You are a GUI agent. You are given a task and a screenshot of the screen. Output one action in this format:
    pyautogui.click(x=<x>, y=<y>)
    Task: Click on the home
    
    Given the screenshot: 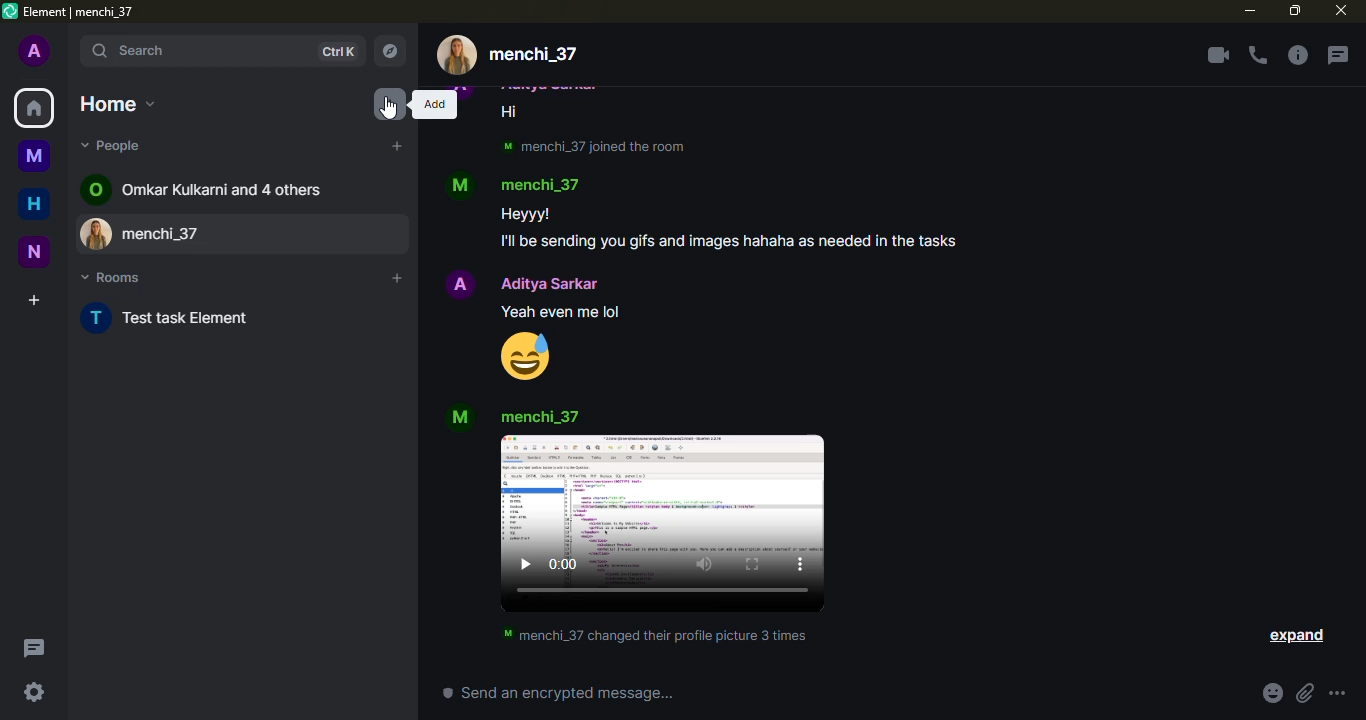 What is the action you would take?
    pyautogui.click(x=34, y=203)
    